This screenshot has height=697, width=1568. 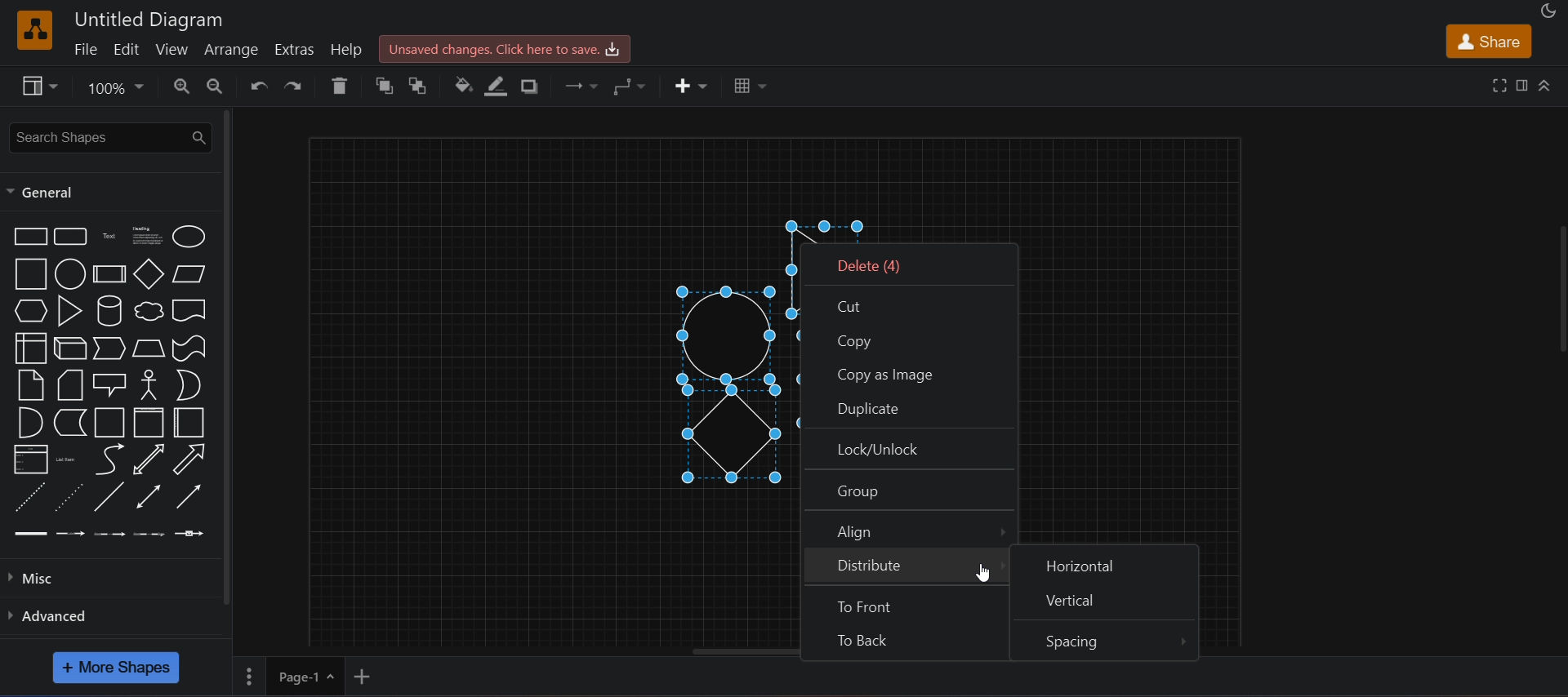 I want to click on text, so click(x=109, y=238).